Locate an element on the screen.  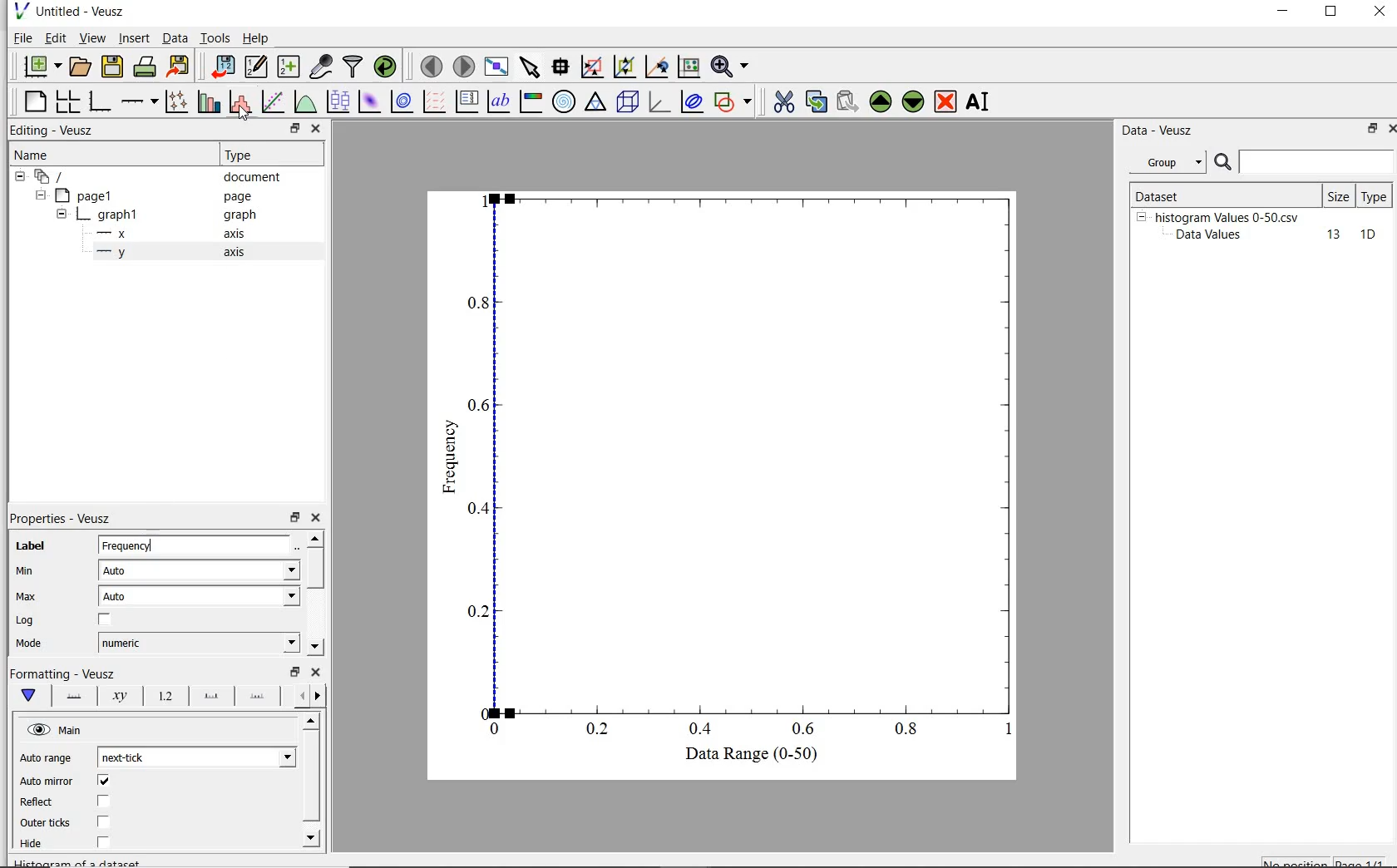
create new datasets using ranges, parametrically or as functions of existing datasets is located at coordinates (291, 65).